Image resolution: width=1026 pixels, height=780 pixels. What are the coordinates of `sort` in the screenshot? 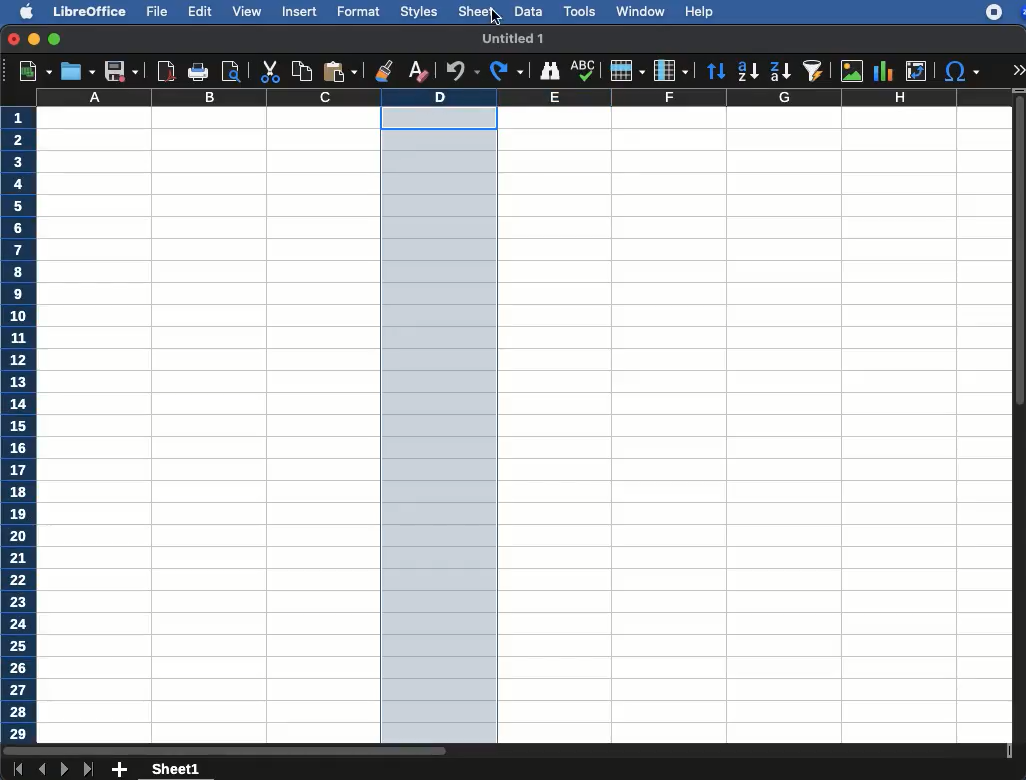 It's located at (812, 72).